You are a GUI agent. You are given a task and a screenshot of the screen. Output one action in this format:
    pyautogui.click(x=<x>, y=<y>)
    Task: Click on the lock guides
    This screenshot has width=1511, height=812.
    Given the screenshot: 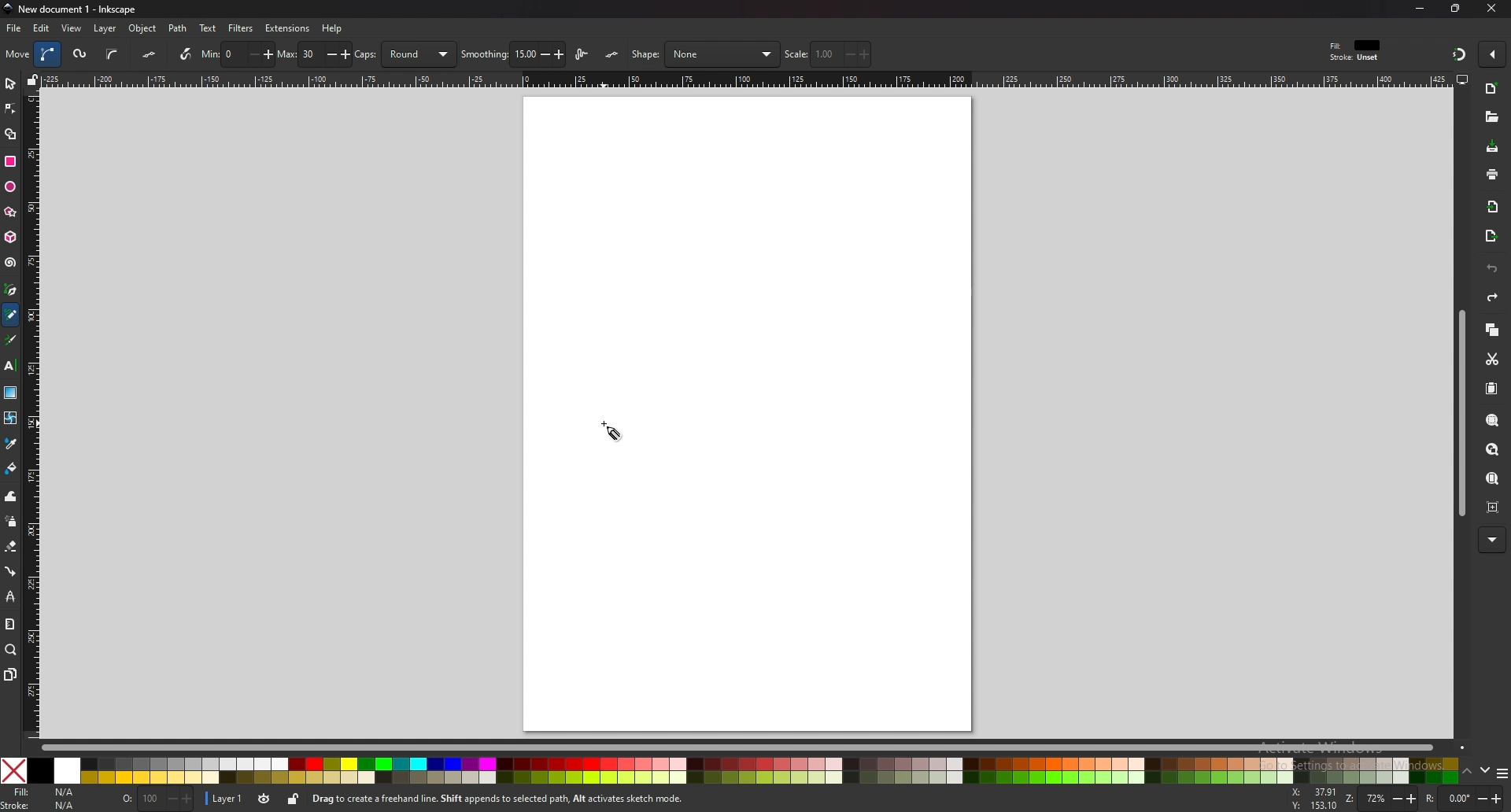 What is the action you would take?
    pyautogui.click(x=32, y=79)
    